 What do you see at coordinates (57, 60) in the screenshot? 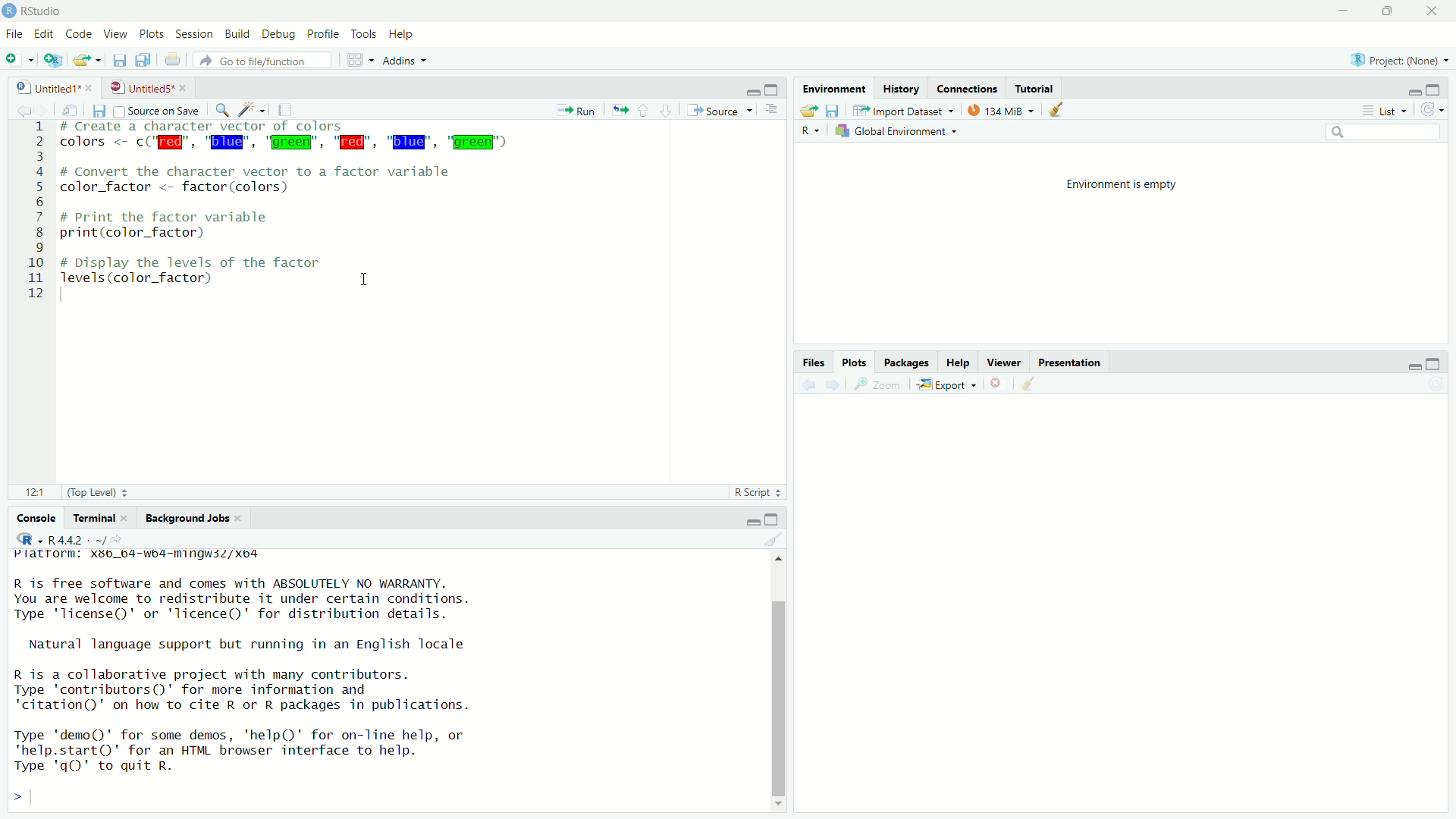
I see `create a project` at bounding box center [57, 60].